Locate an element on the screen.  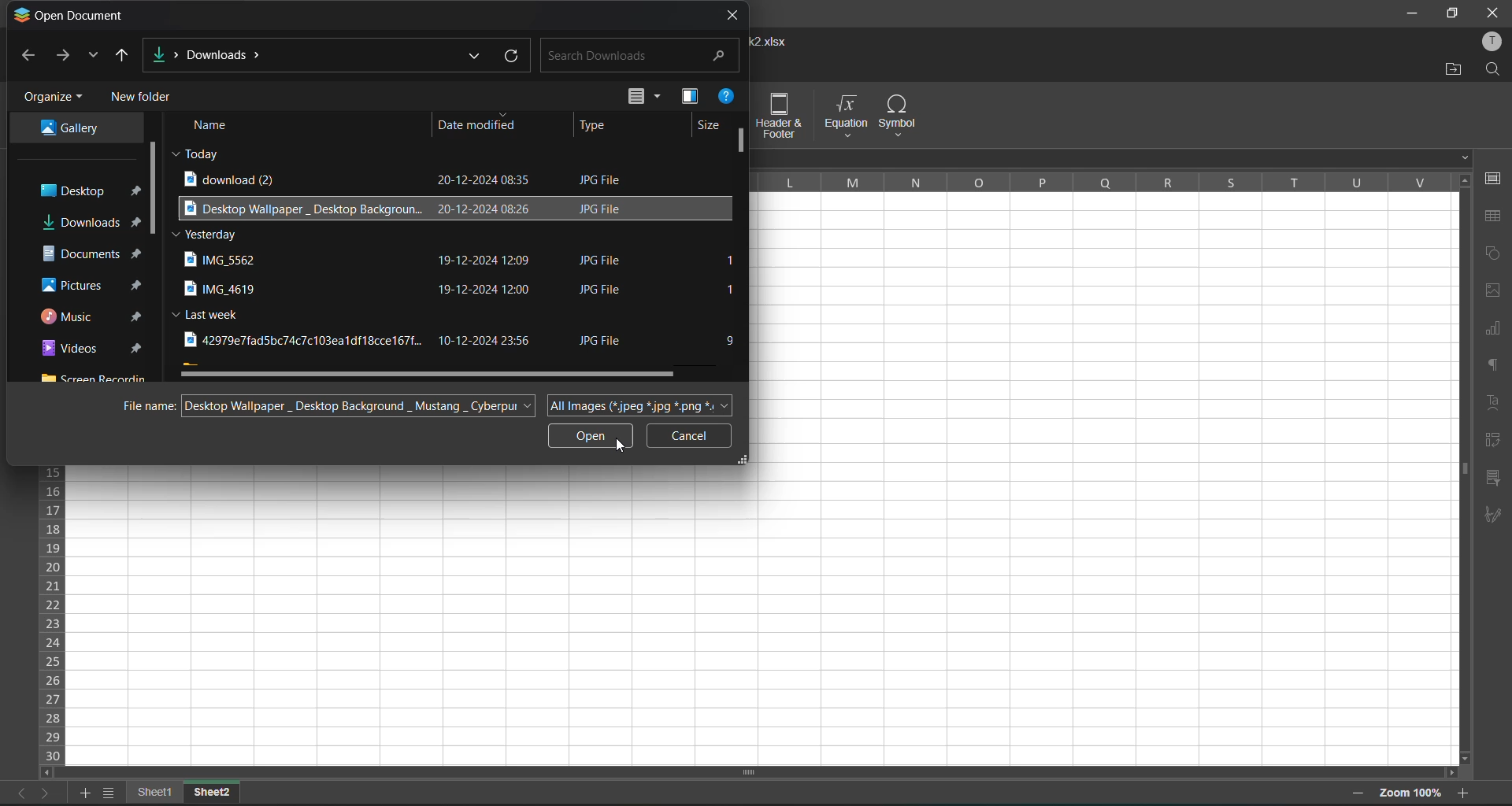
table is located at coordinates (1494, 216).